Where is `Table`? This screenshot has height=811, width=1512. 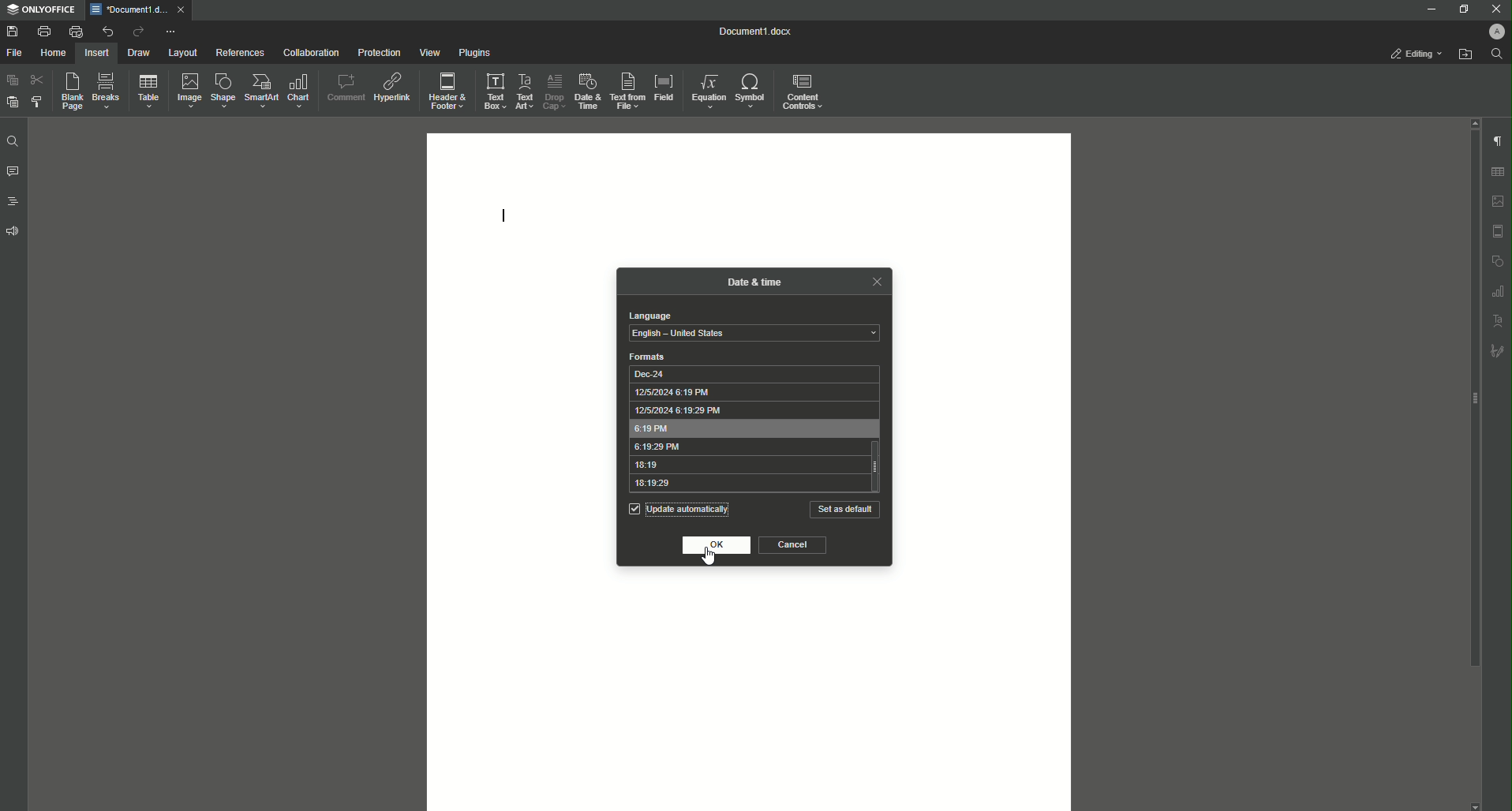 Table is located at coordinates (145, 91).